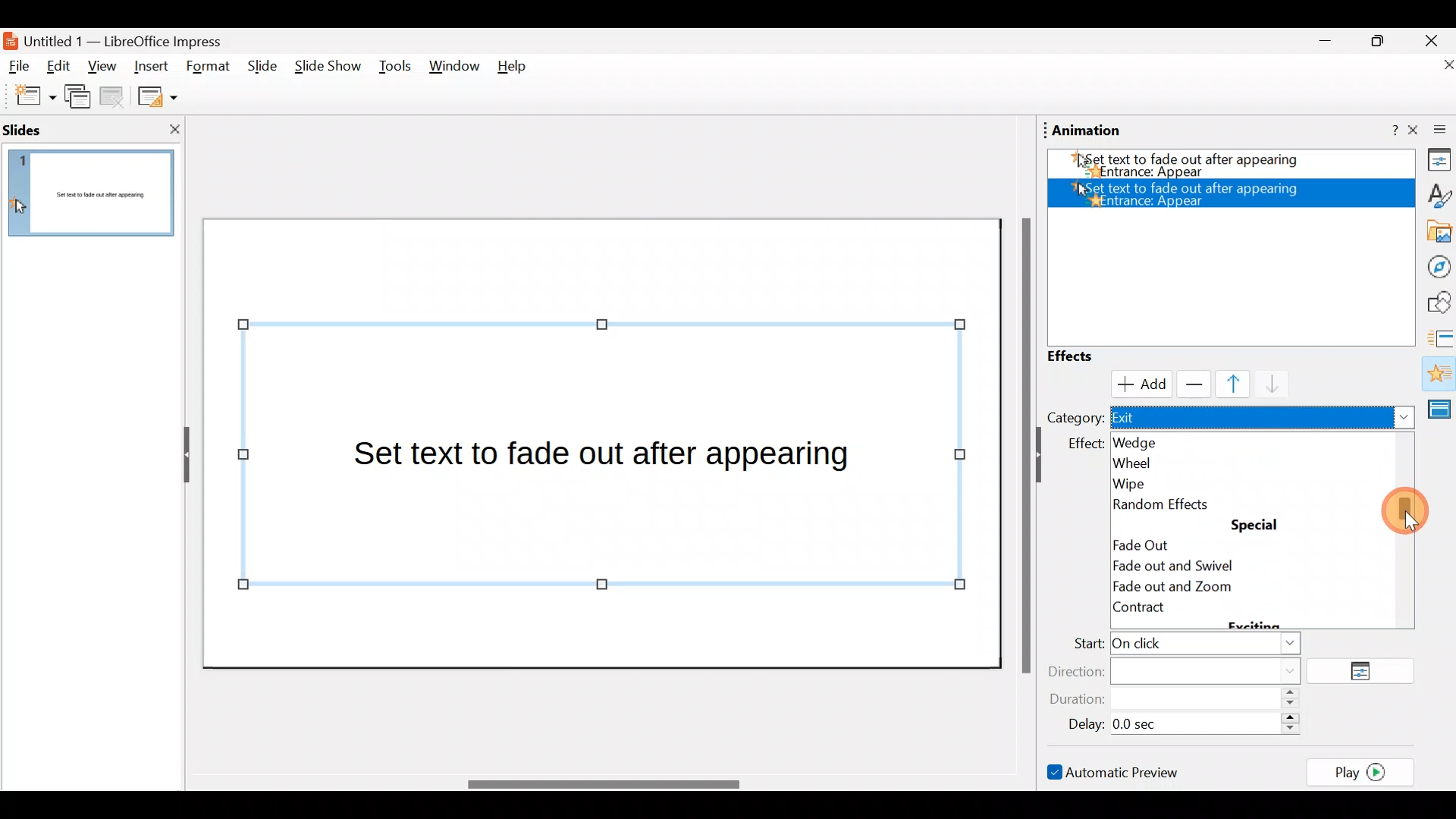 Image resolution: width=1456 pixels, height=819 pixels. I want to click on Options, so click(1367, 672).